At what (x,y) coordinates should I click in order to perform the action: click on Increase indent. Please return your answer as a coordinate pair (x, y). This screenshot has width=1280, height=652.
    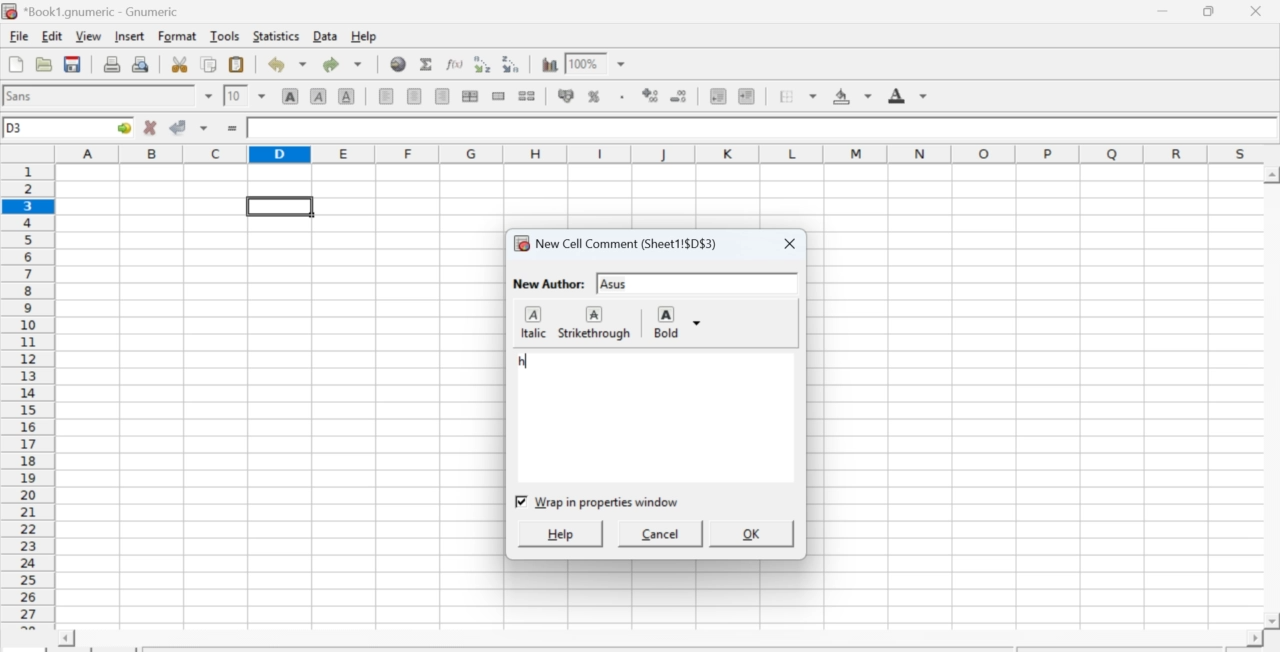
    Looking at the image, I should click on (751, 96).